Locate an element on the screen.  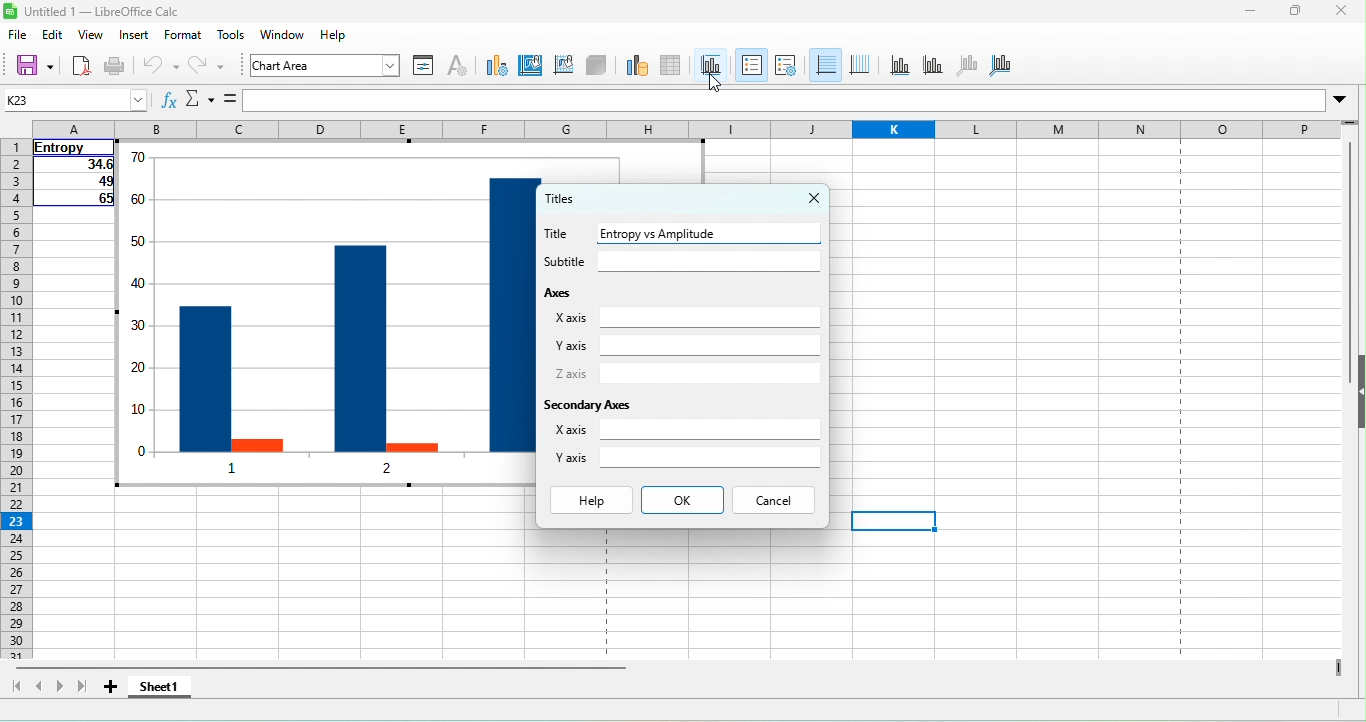
axes is located at coordinates (584, 294).